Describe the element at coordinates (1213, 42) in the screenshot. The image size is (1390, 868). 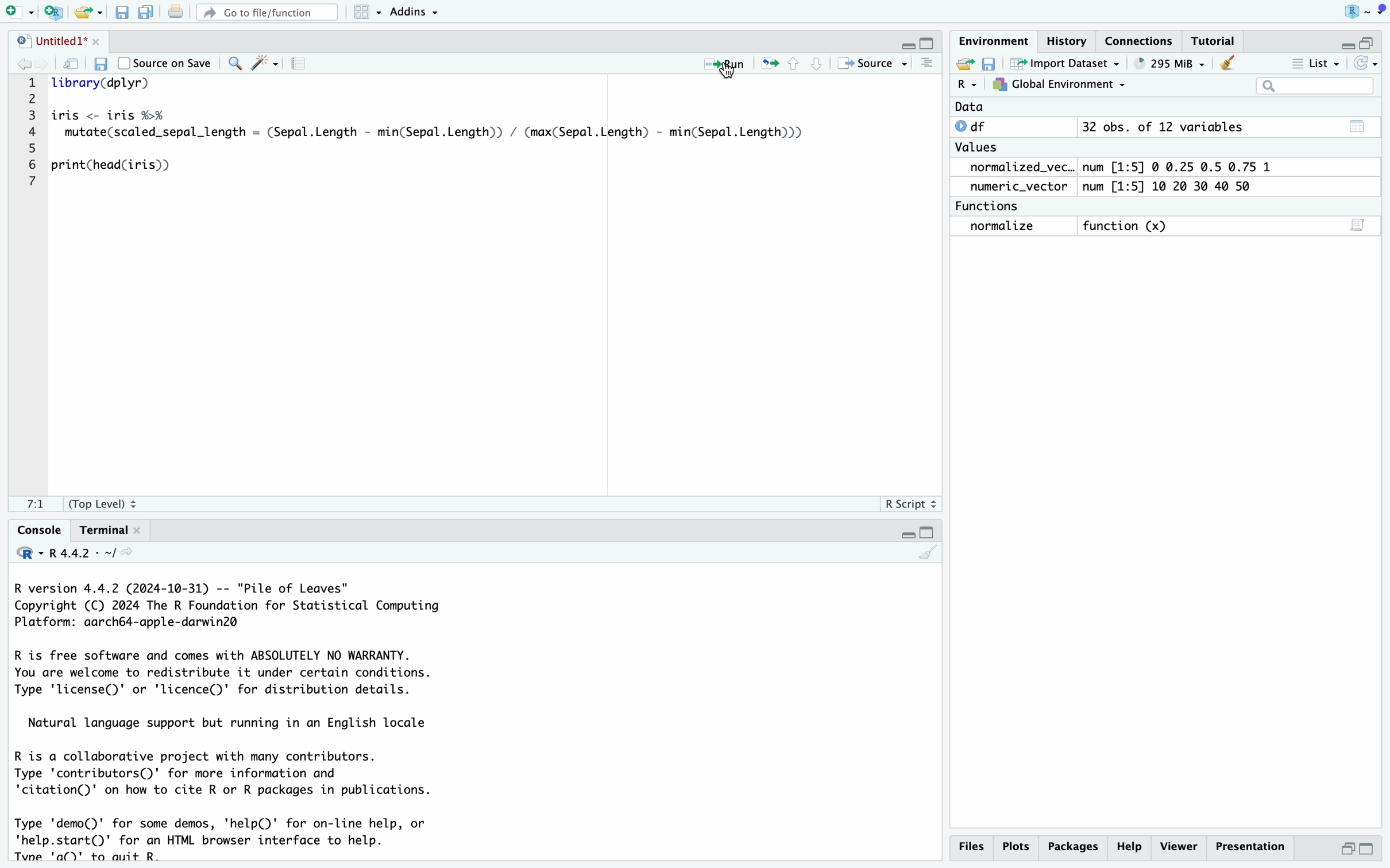
I see `Tutorial` at that location.